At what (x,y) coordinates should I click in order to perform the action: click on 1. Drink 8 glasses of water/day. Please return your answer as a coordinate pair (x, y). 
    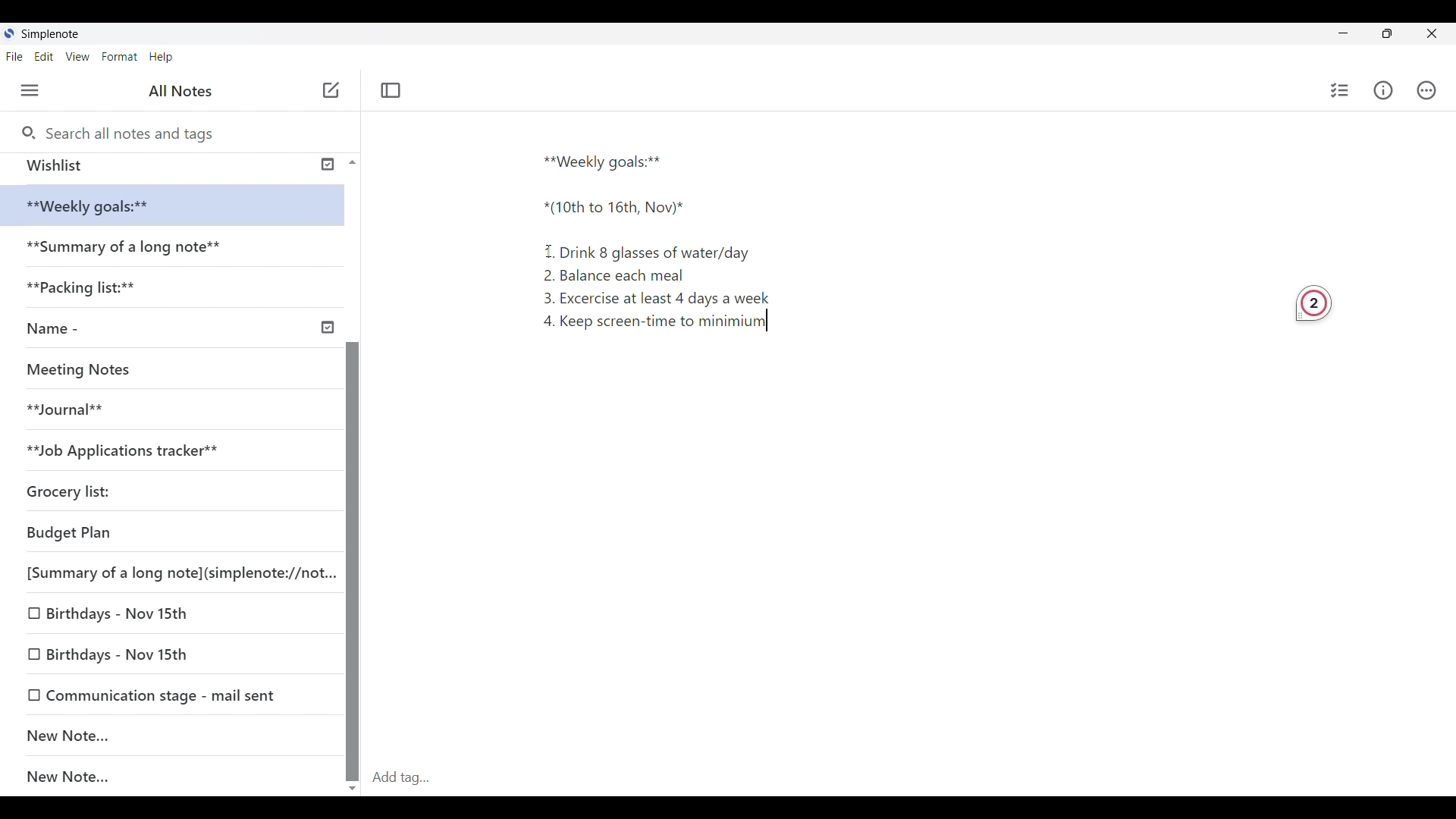
    Looking at the image, I should click on (651, 249).